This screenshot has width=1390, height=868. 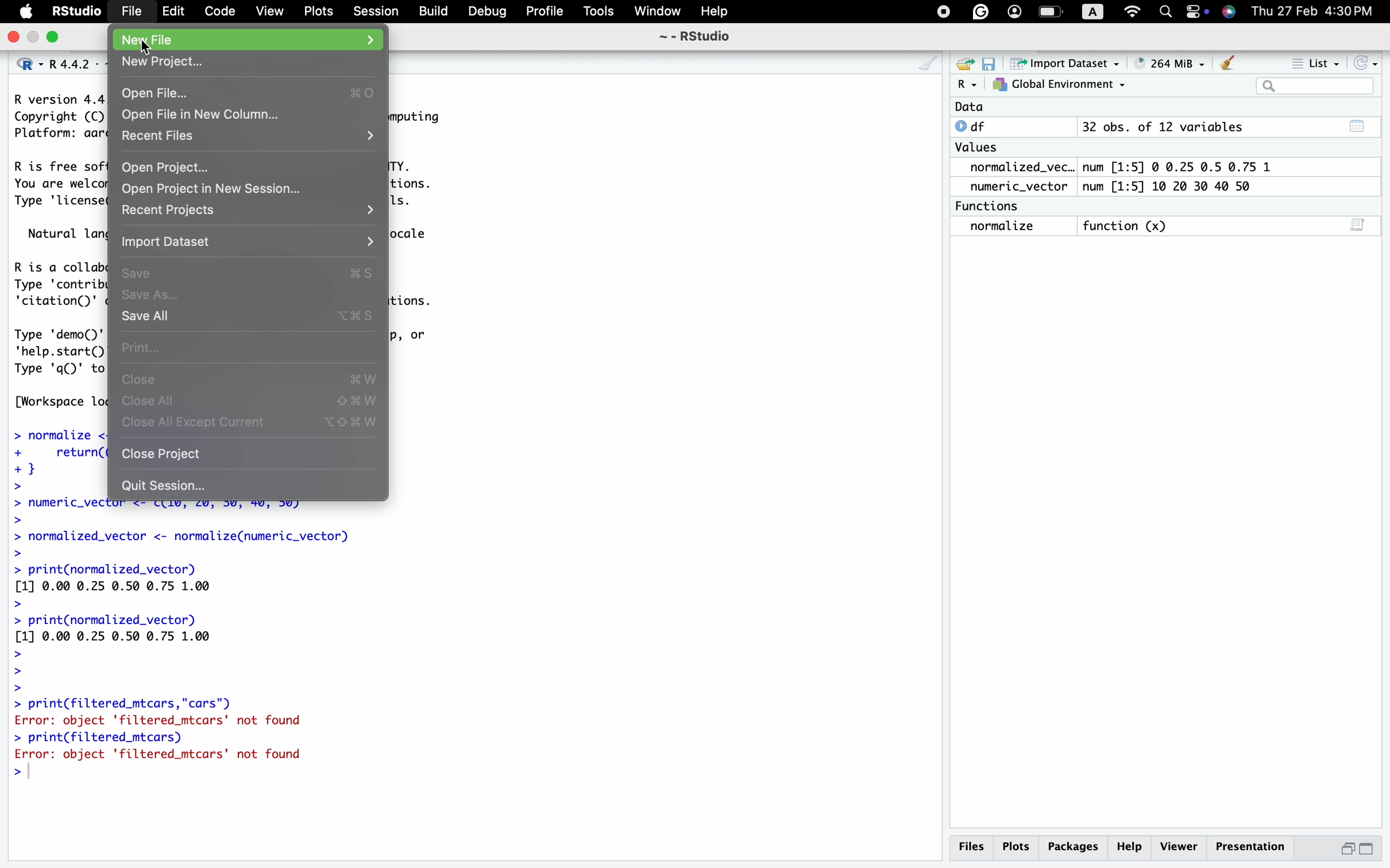 I want to click on Natural lang, so click(x=65, y=234).